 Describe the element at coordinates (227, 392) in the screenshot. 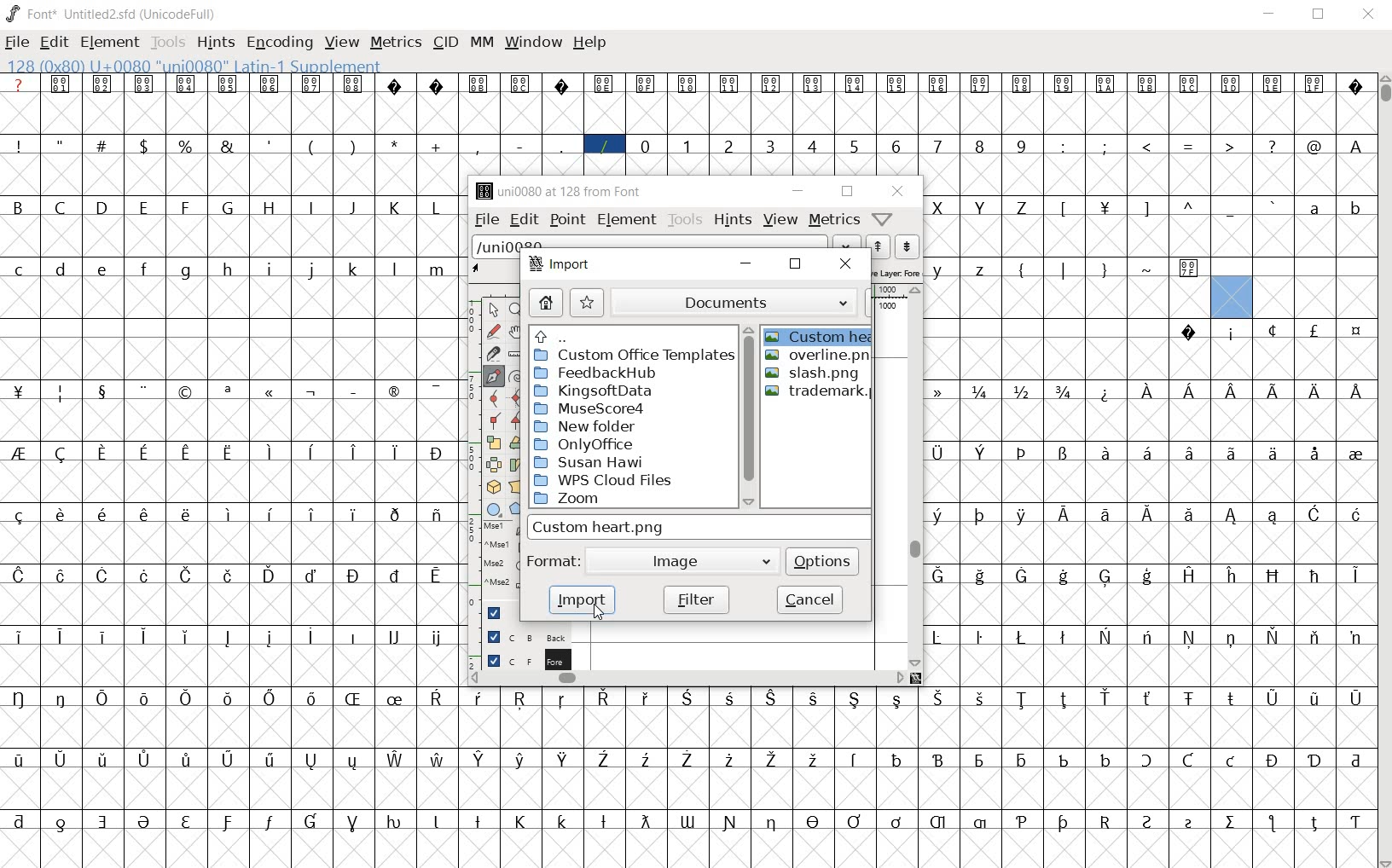

I see `glyph` at that location.